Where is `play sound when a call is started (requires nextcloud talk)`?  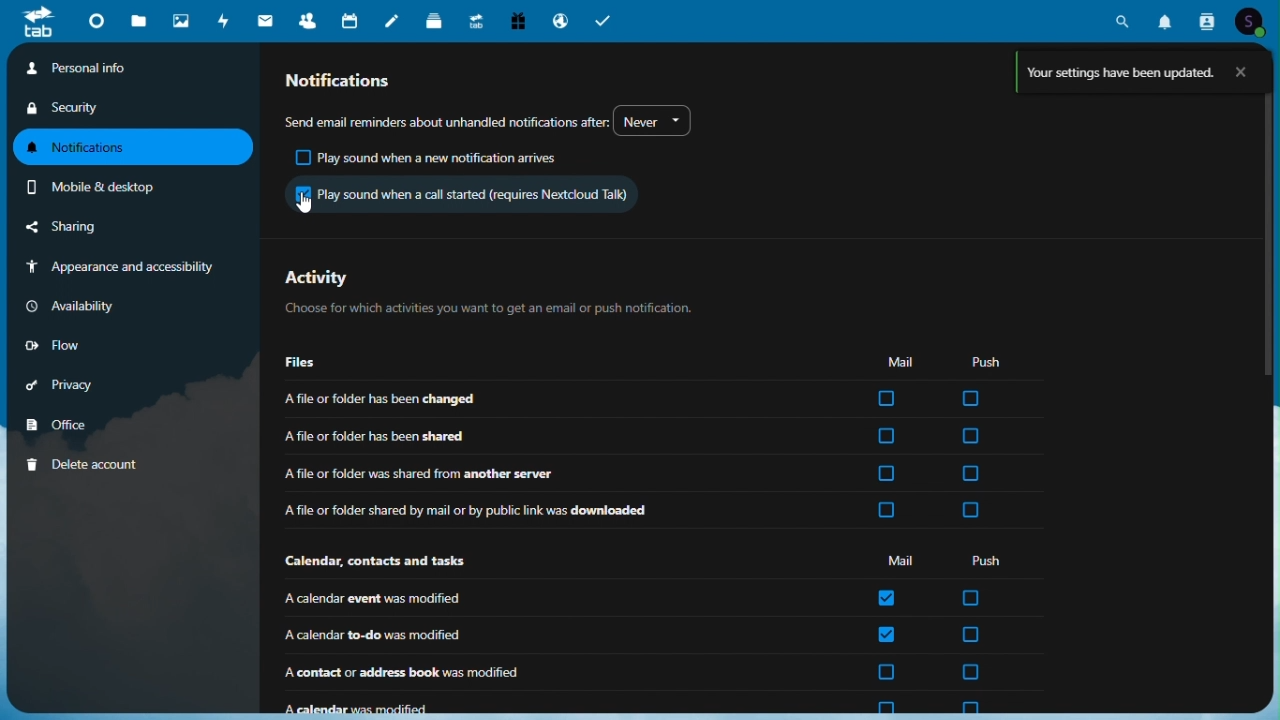 play sound when a call is started (requires nextcloud talk) is located at coordinates (461, 193).